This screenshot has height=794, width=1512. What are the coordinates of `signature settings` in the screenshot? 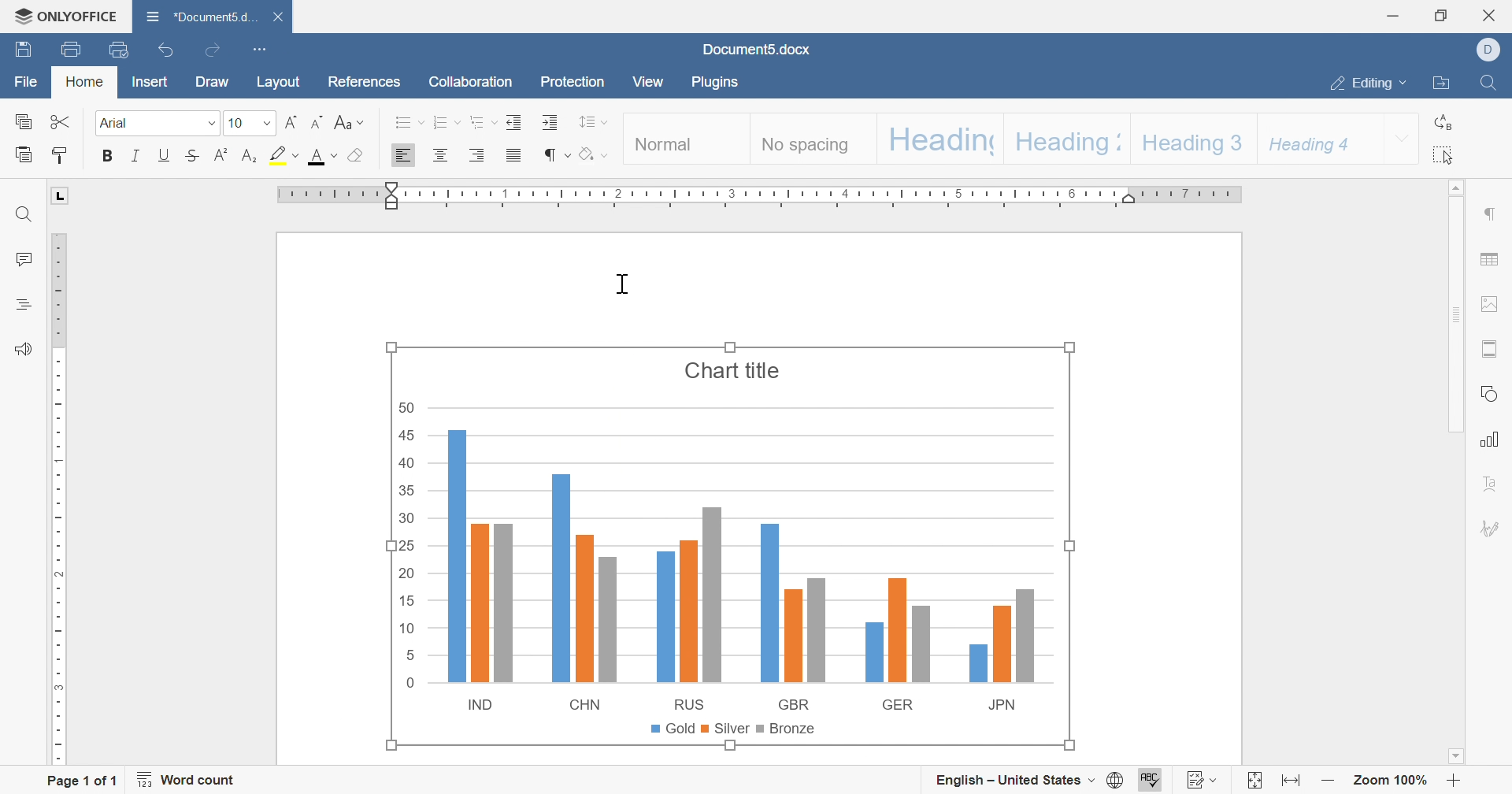 It's located at (1496, 528).